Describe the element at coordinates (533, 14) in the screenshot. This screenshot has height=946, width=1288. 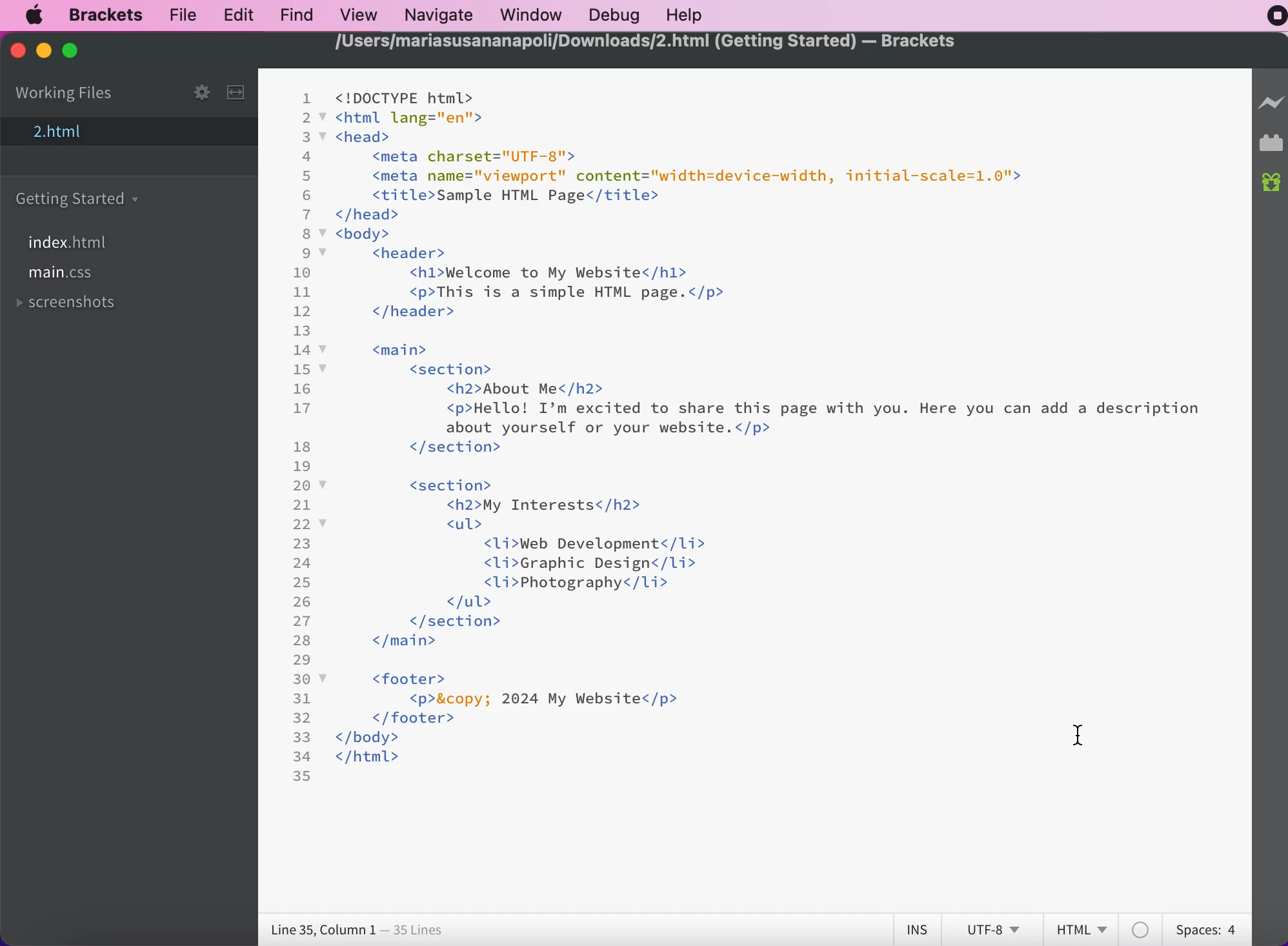
I see `window` at that location.